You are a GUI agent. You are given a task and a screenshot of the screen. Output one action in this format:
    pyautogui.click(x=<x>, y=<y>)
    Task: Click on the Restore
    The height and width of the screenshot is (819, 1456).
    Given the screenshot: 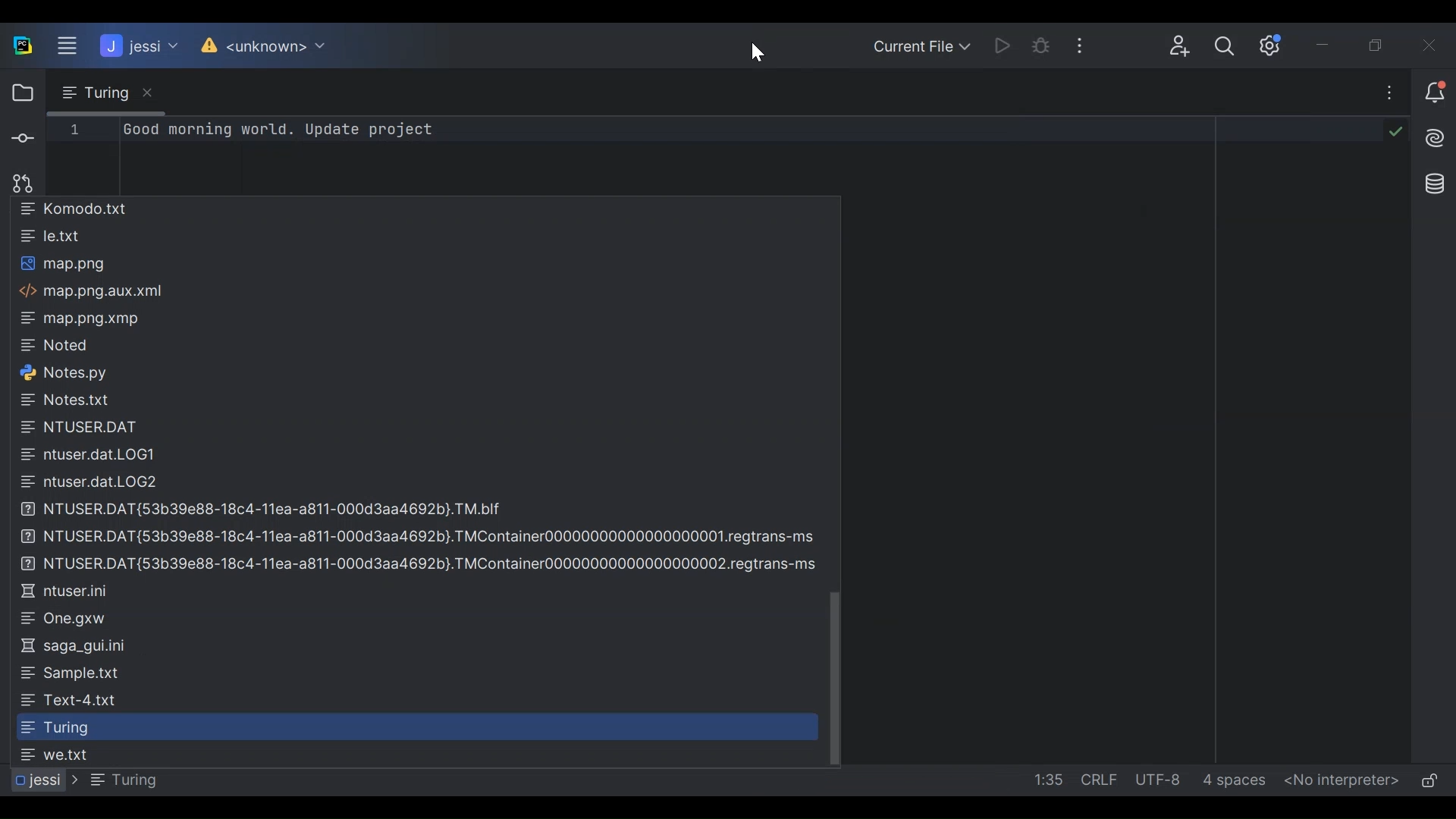 What is the action you would take?
    pyautogui.click(x=1383, y=45)
    